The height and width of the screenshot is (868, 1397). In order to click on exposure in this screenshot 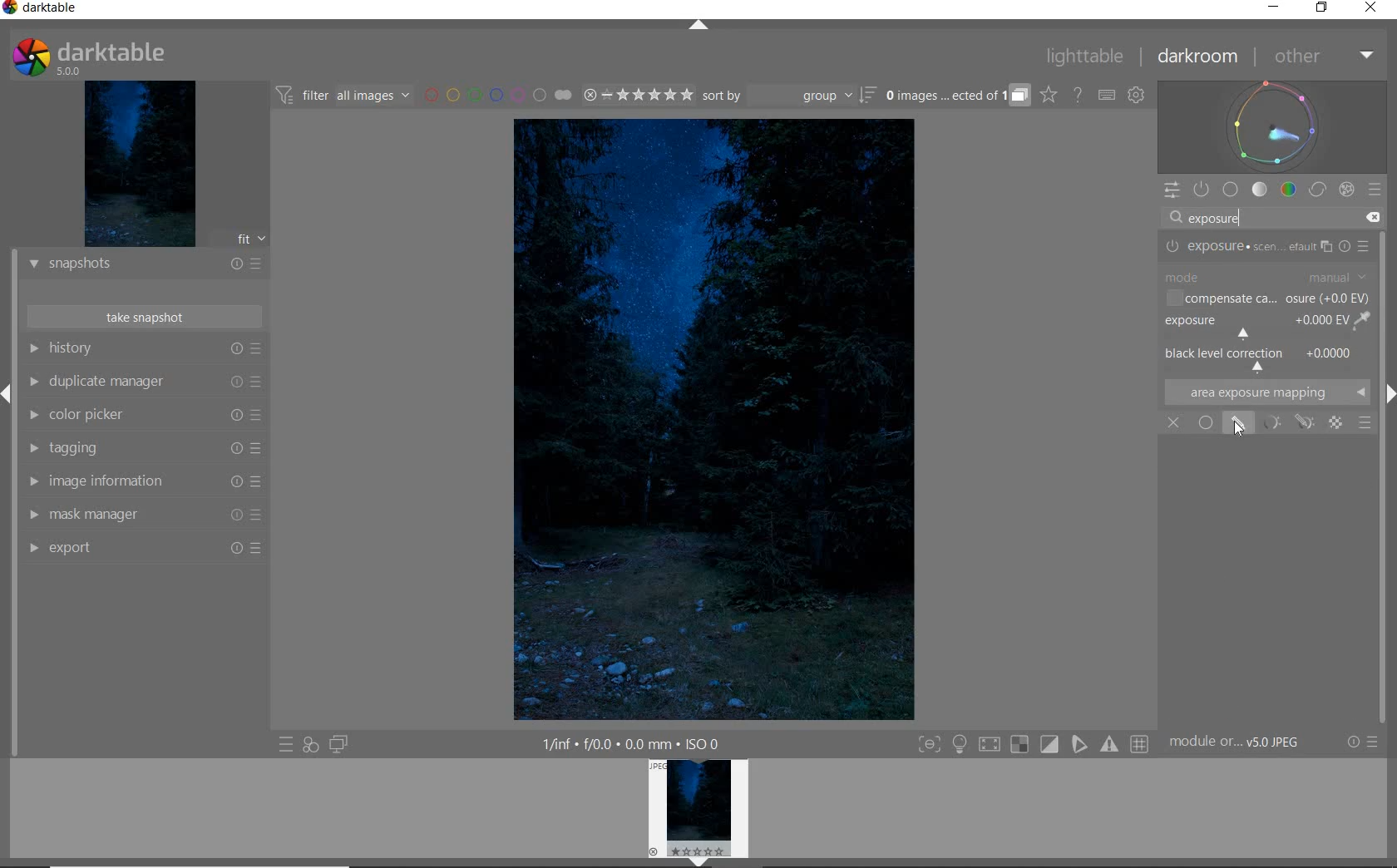, I will do `click(1219, 218)`.